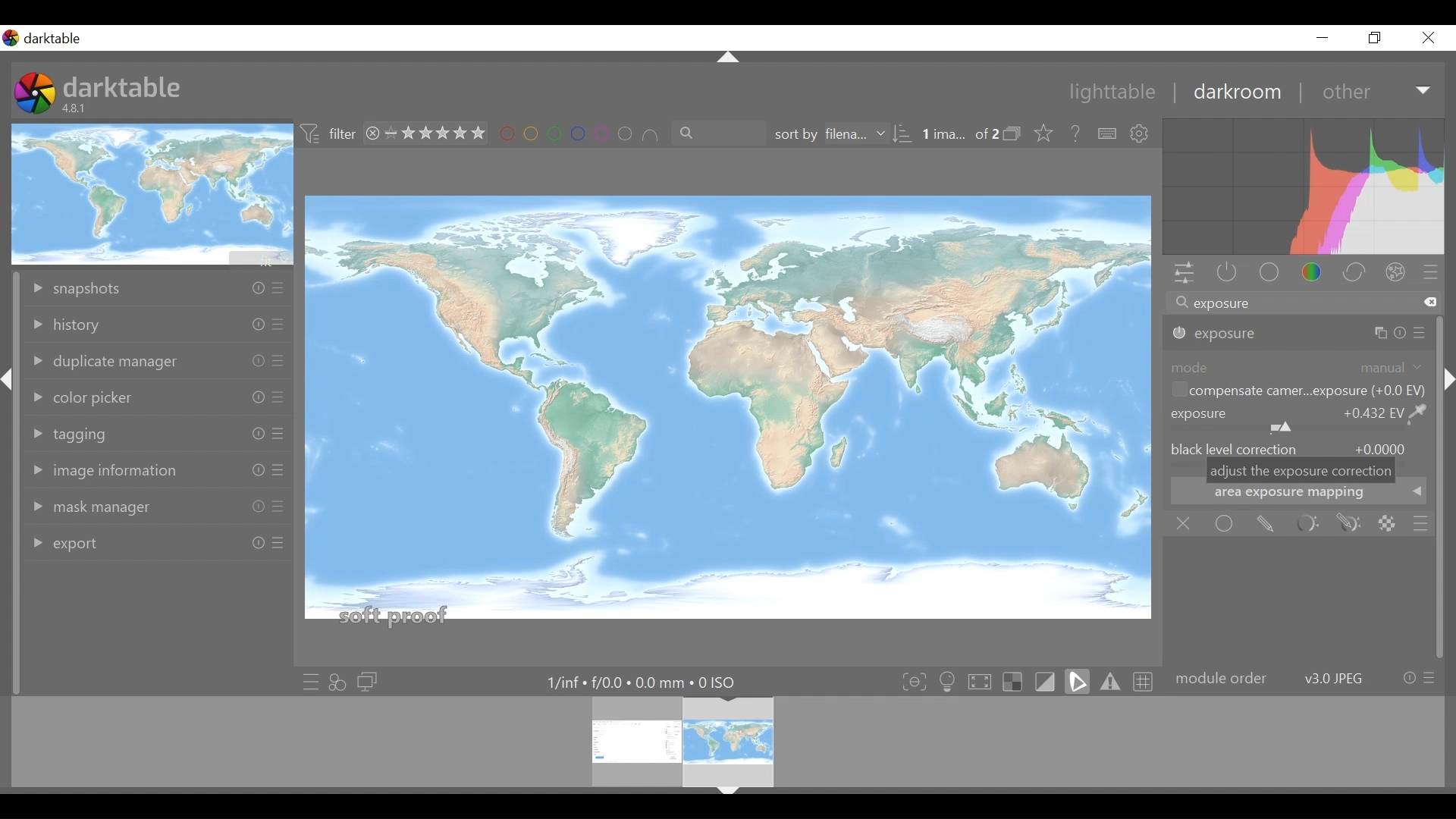 The height and width of the screenshot is (819, 1456). I want to click on toggle guide lines, so click(1145, 680).